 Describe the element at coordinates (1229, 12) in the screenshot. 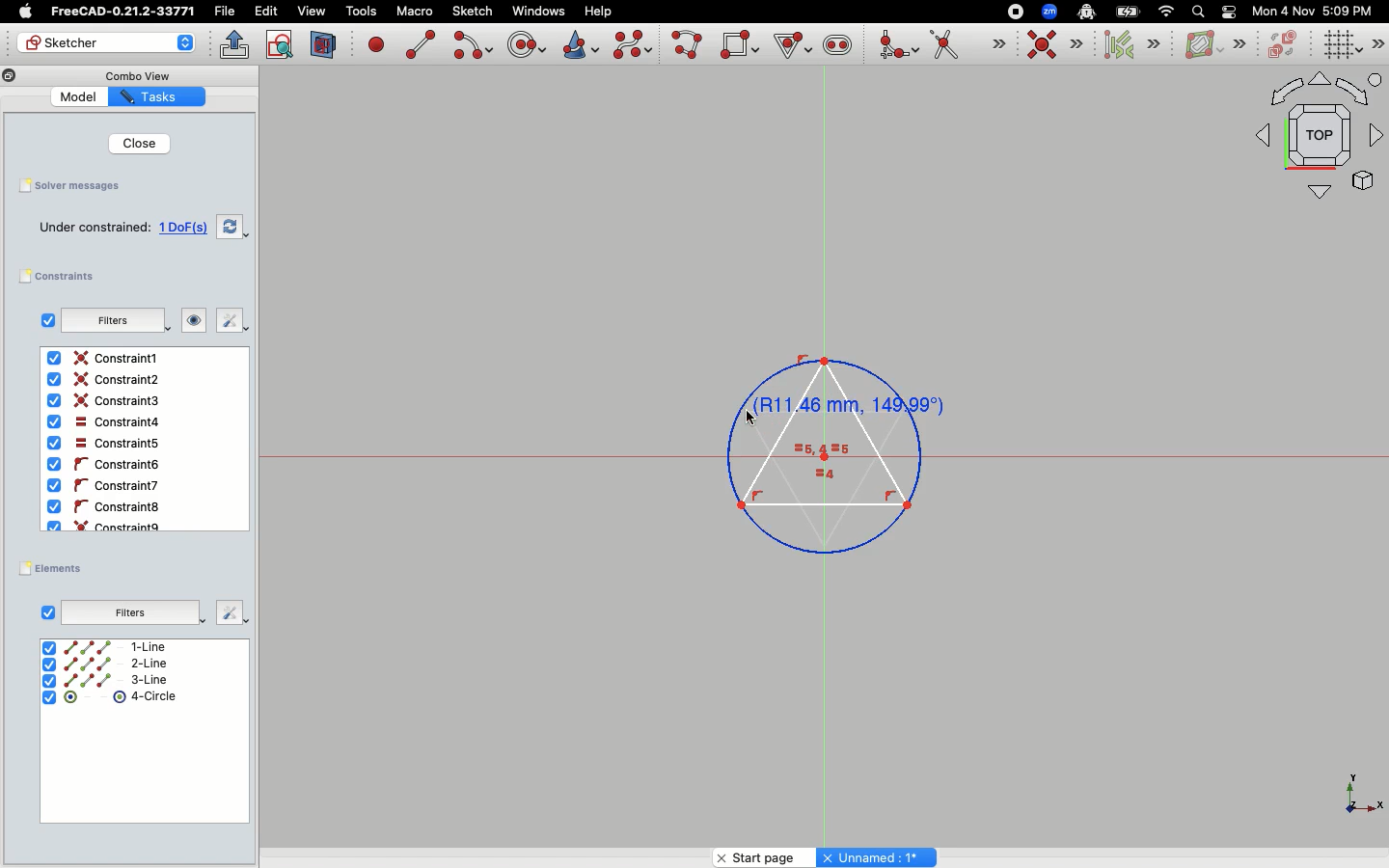

I see `Toggle` at that location.